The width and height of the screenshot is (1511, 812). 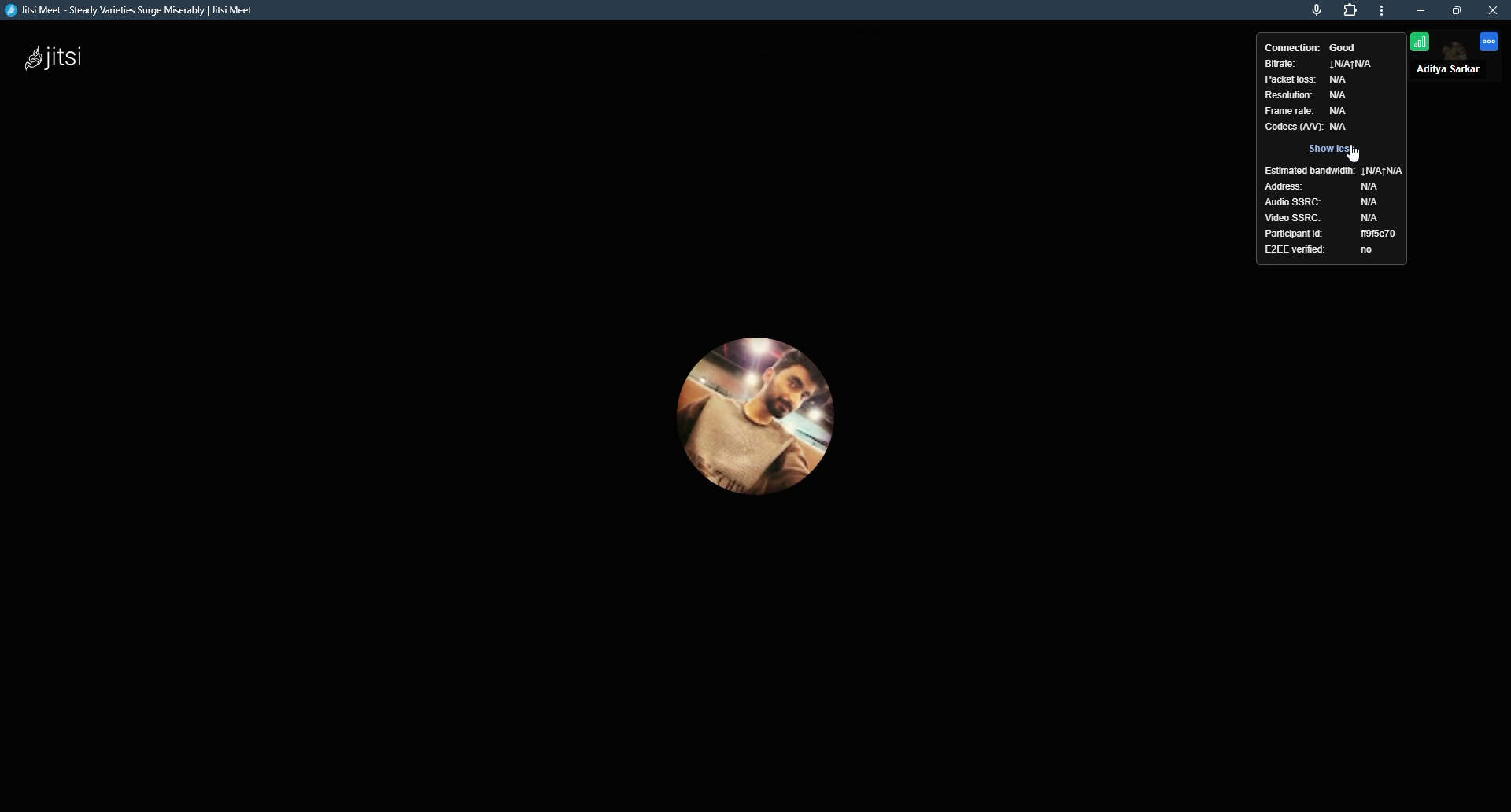 What do you see at coordinates (1369, 249) in the screenshot?
I see `no` at bounding box center [1369, 249].